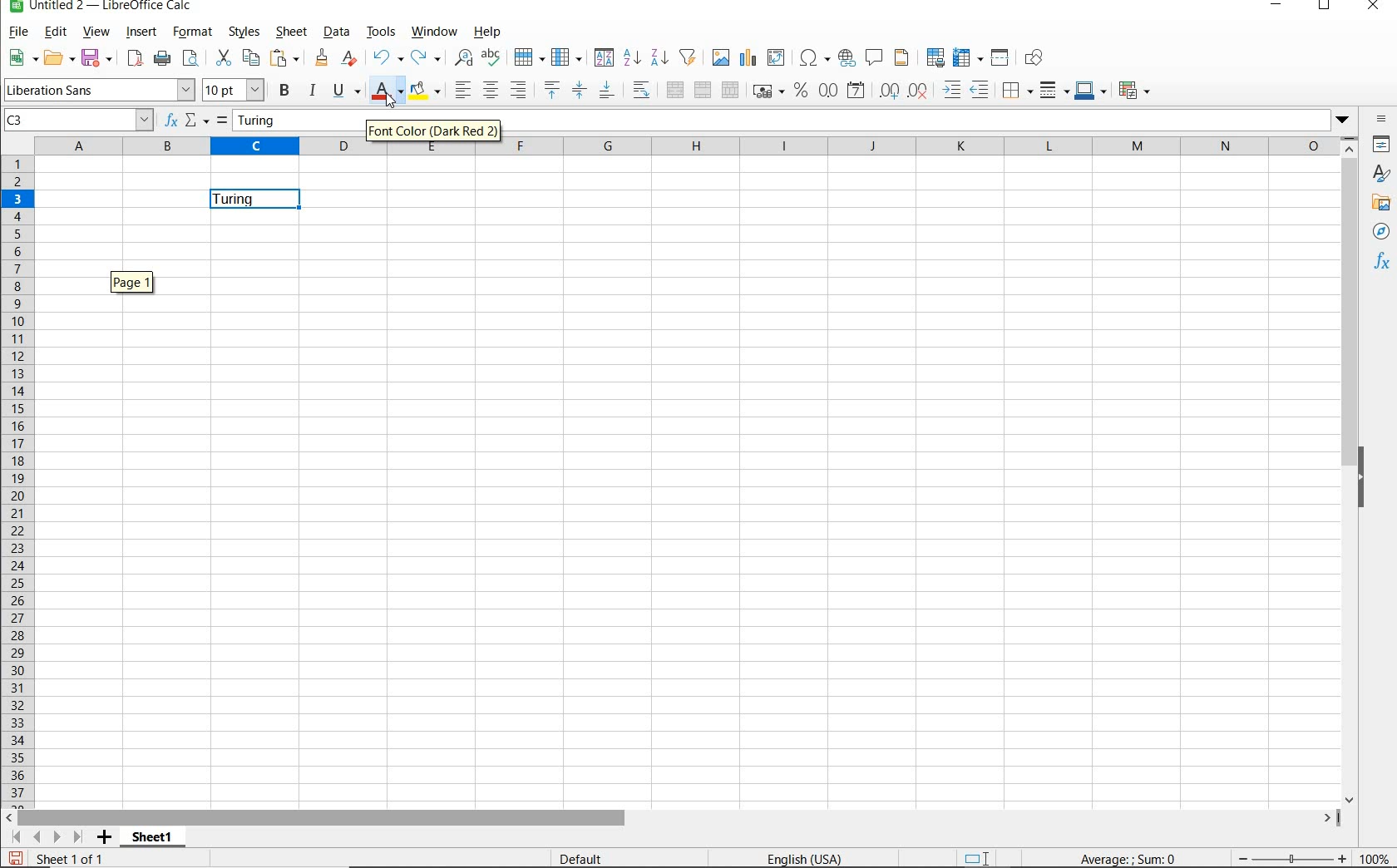 The height and width of the screenshot is (868, 1397). I want to click on FUNCTION WIZARD, so click(172, 121).